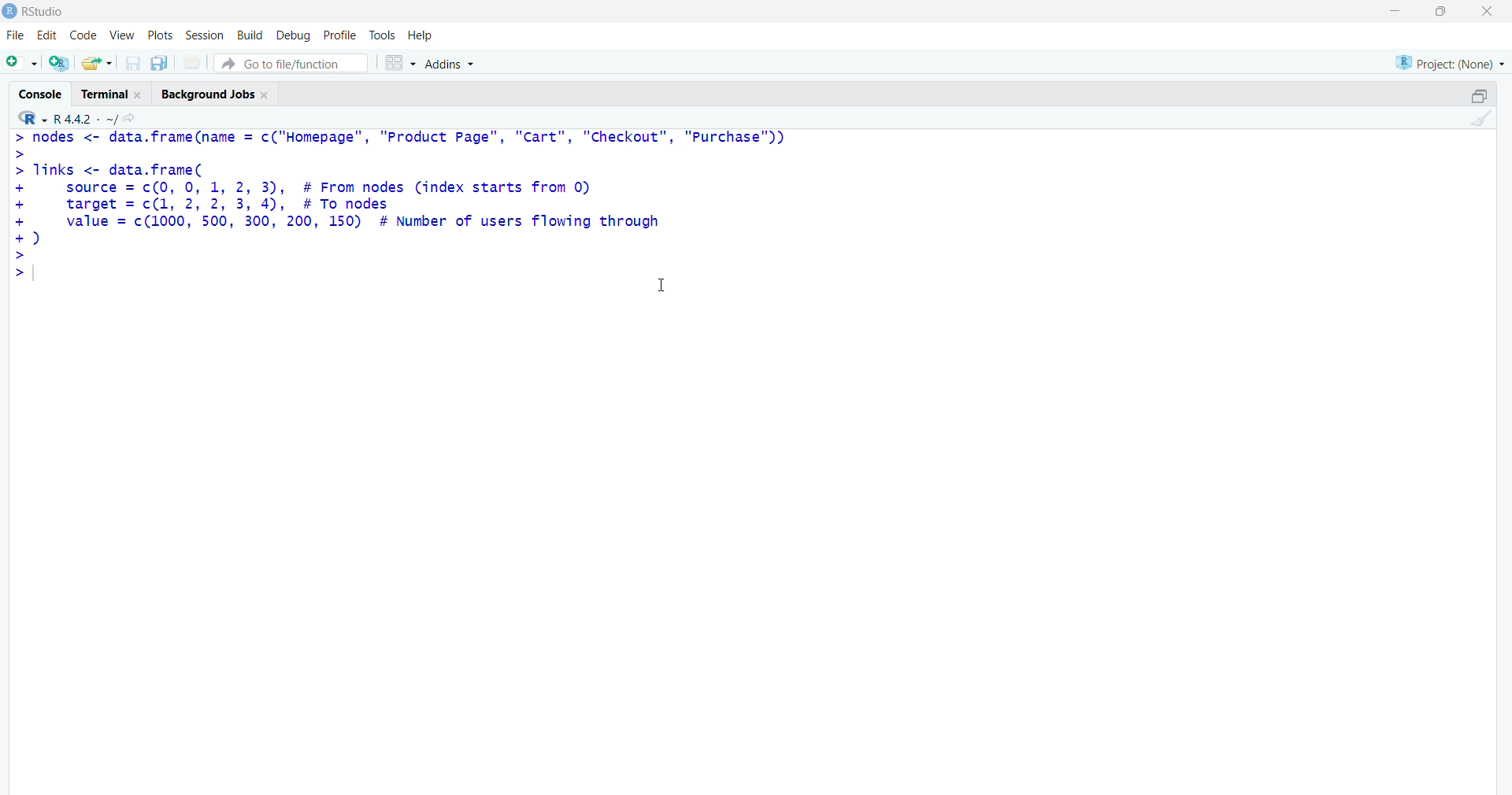 The width and height of the screenshot is (1512, 795). Describe the element at coordinates (97, 64) in the screenshot. I see `open file` at that location.